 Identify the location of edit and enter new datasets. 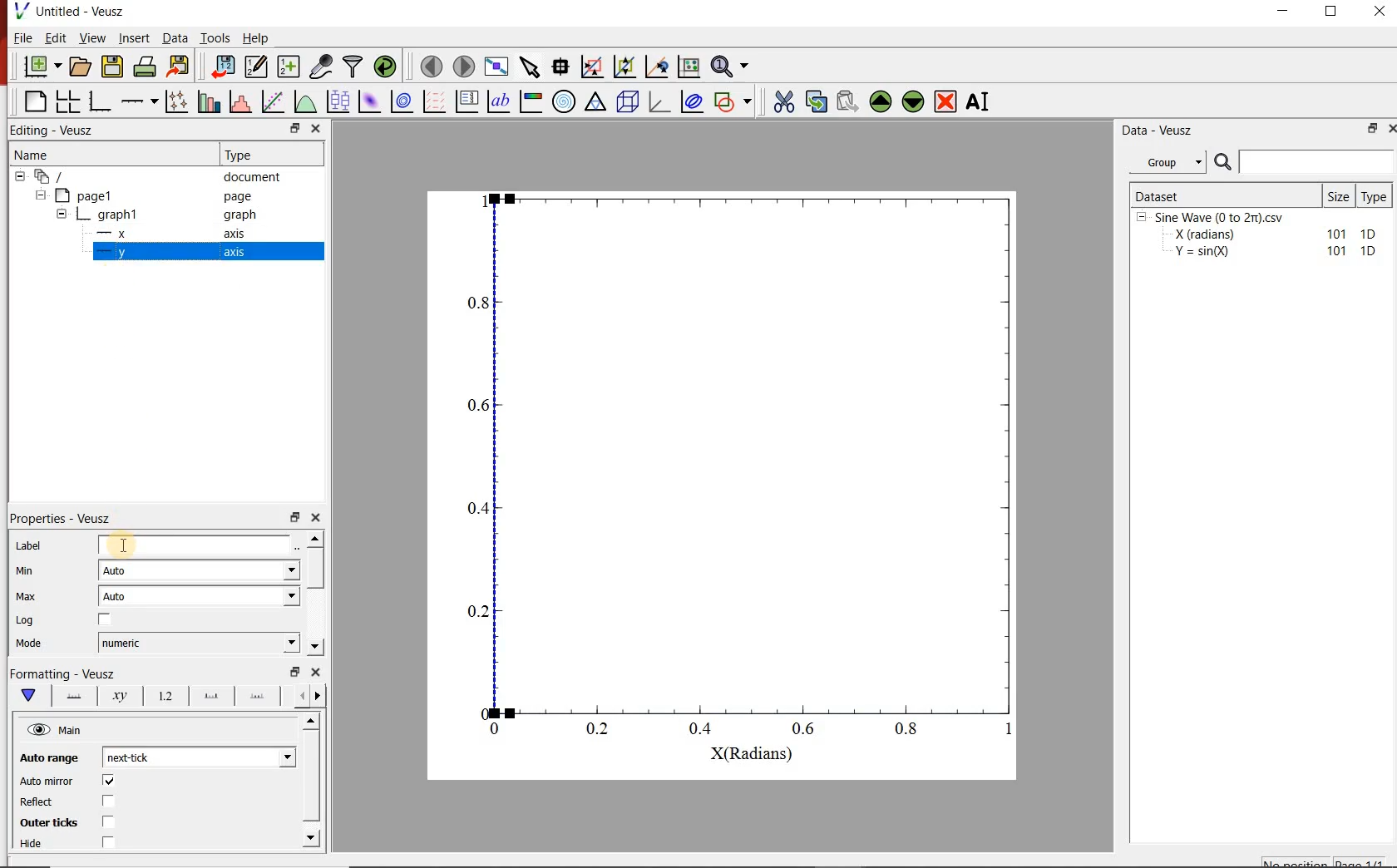
(257, 67).